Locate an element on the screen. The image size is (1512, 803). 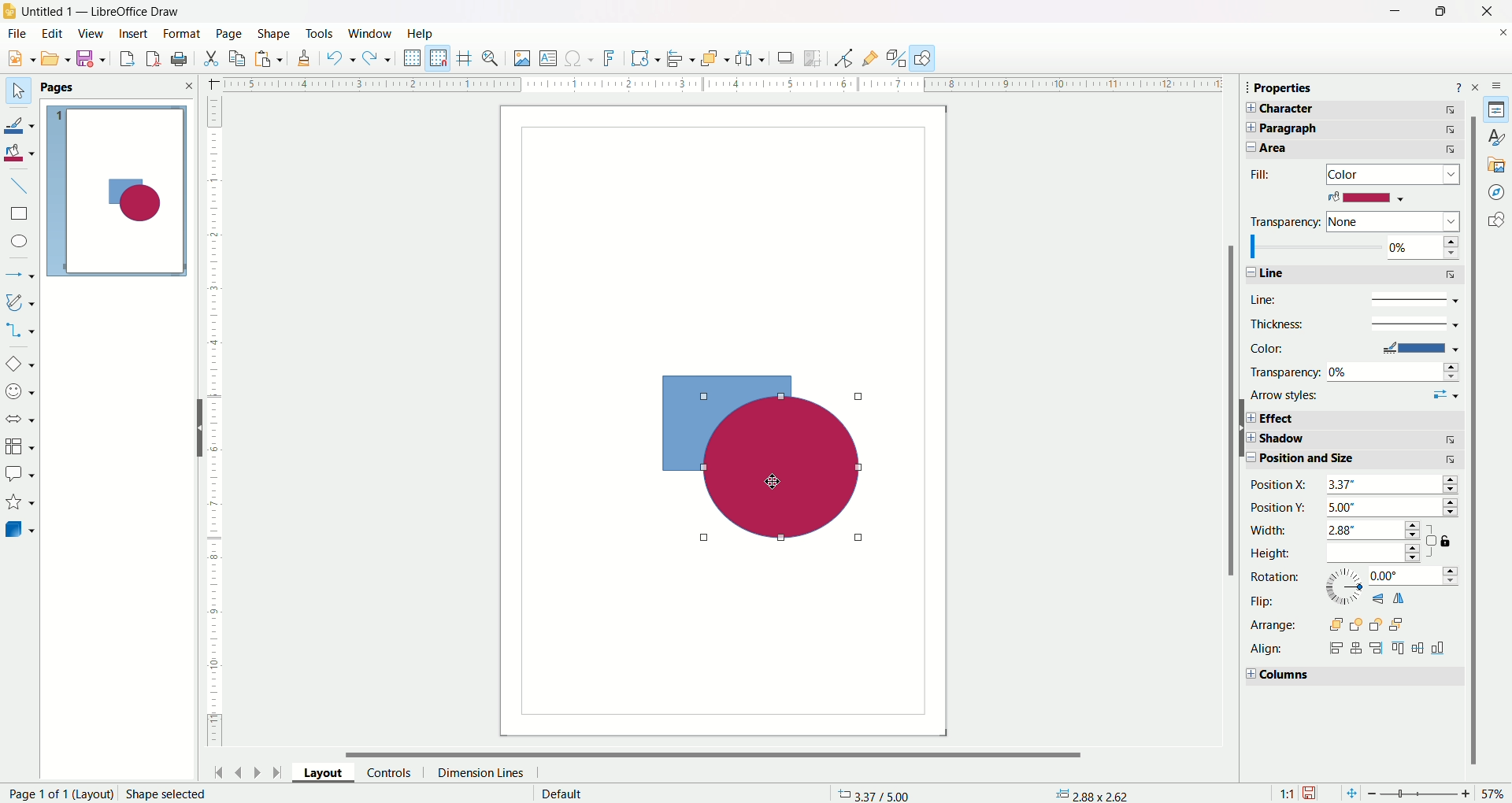
gallery is located at coordinates (1495, 163).